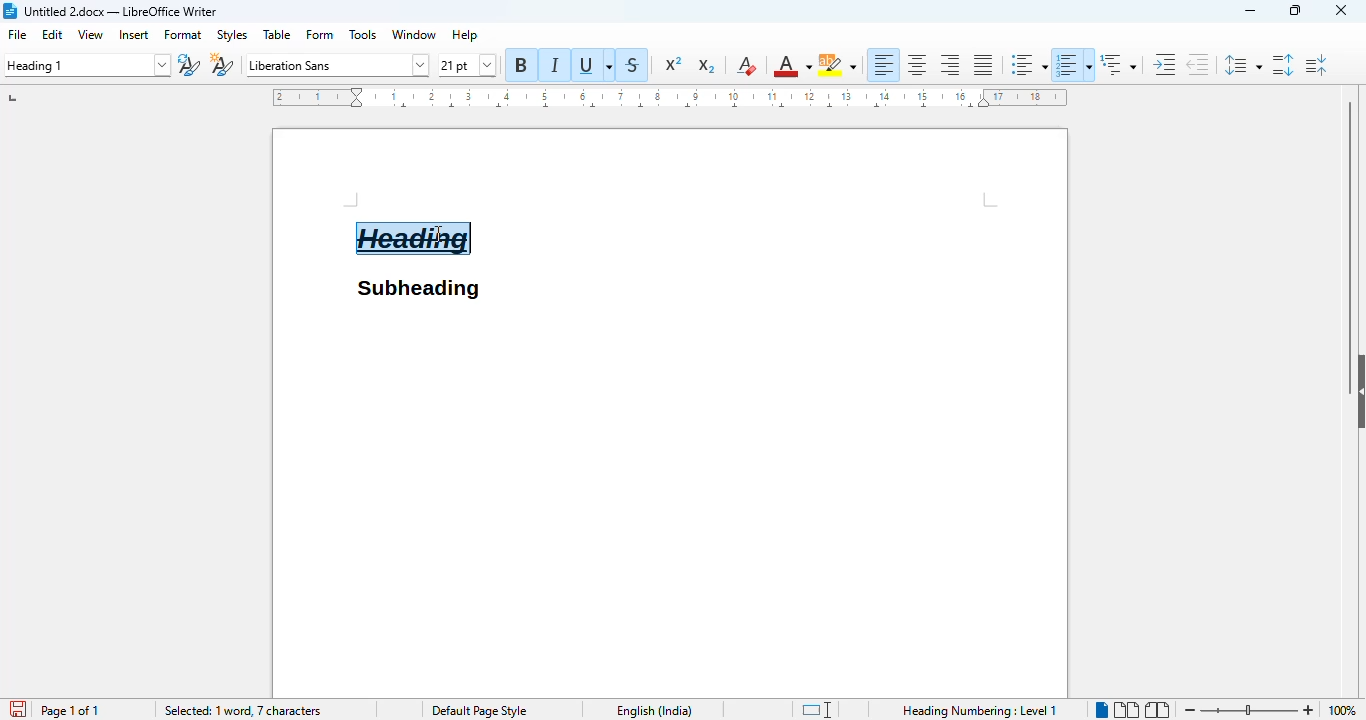 The width and height of the screenshot is (1366, 720). I want to click on zoom, so click(1250, 707).